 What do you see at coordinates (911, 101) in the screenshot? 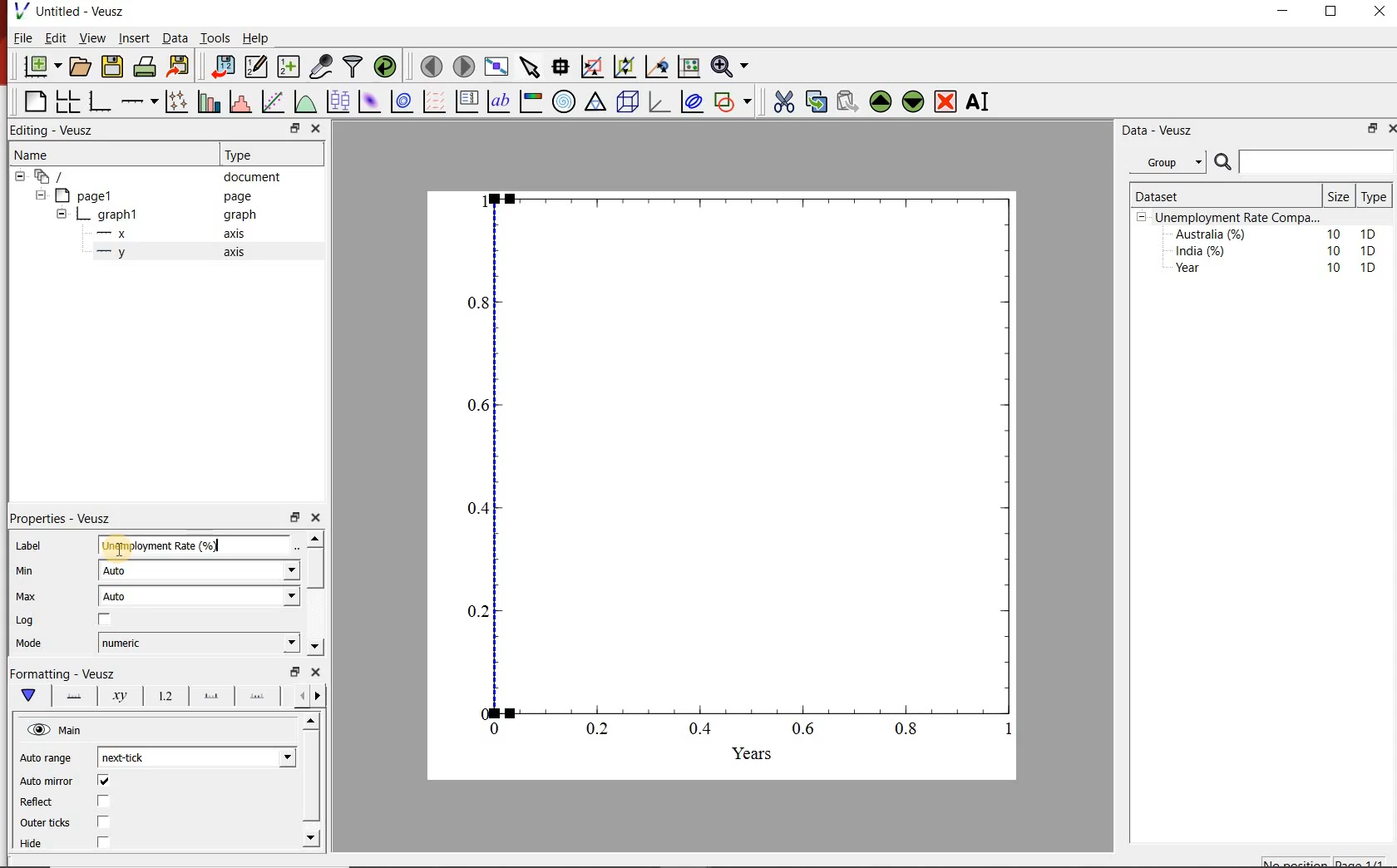
I see `move the widgets down` at bounding box center [911, 101].